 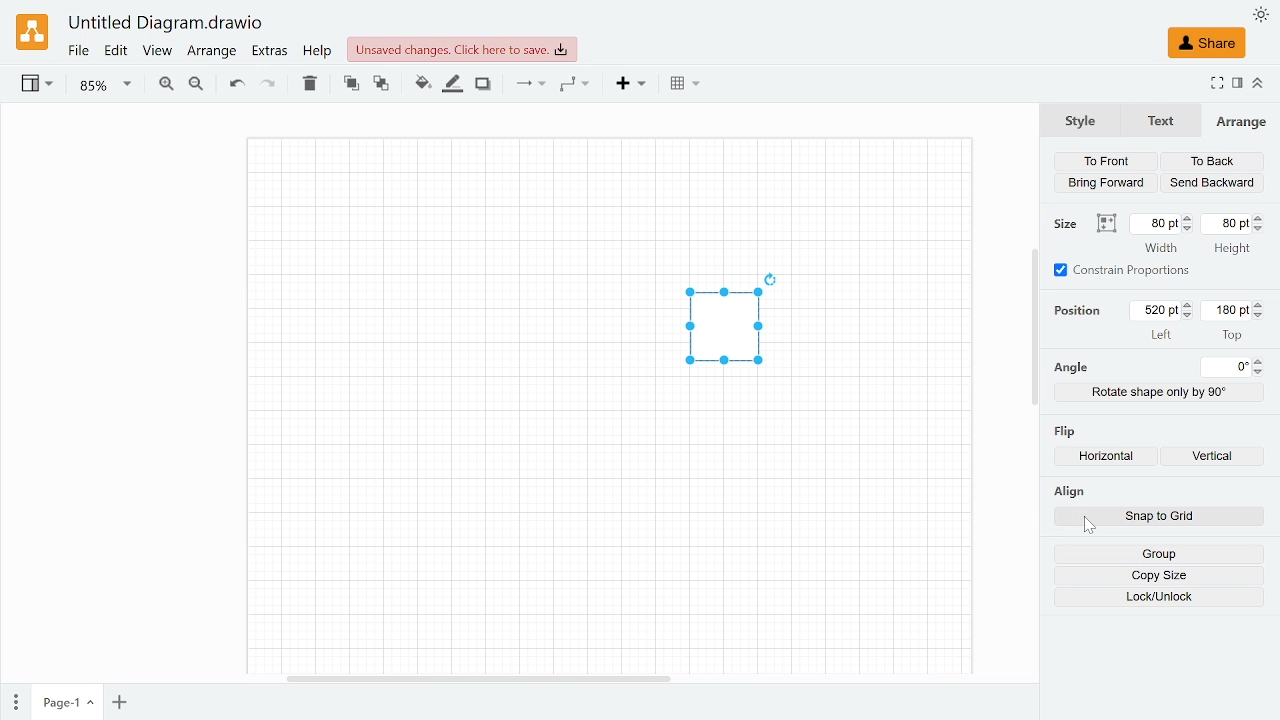 I want to click on To back, so click(x=382, y=85).